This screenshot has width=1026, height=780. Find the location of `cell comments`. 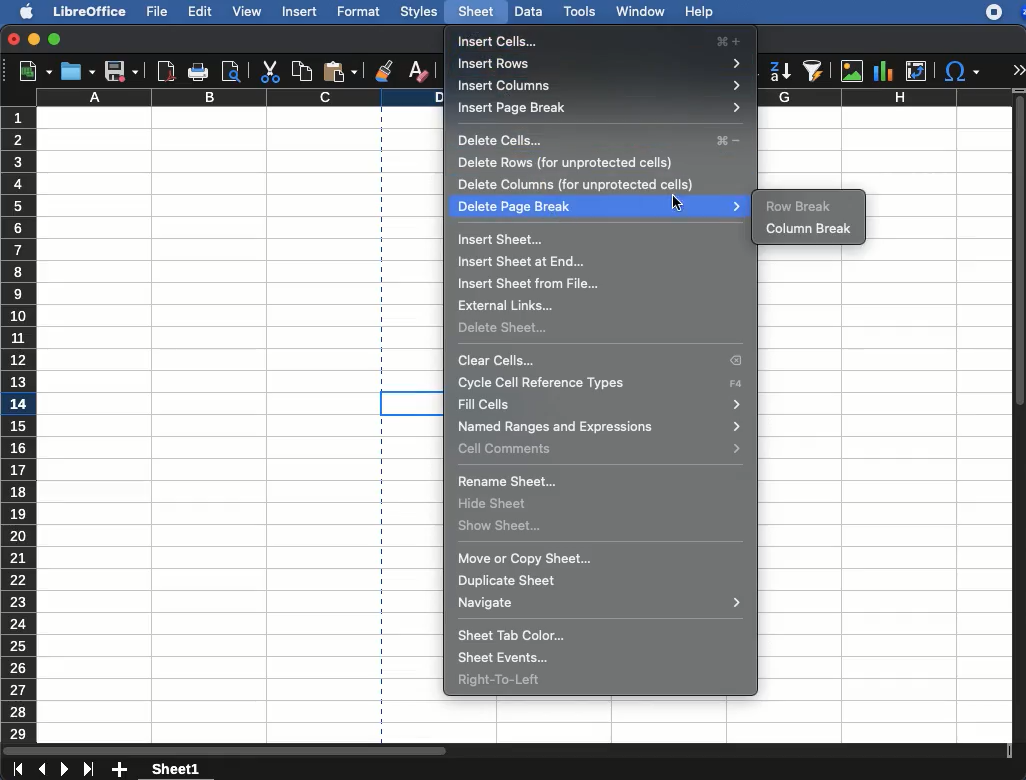

cell comments is located at coordinates (603, 448).